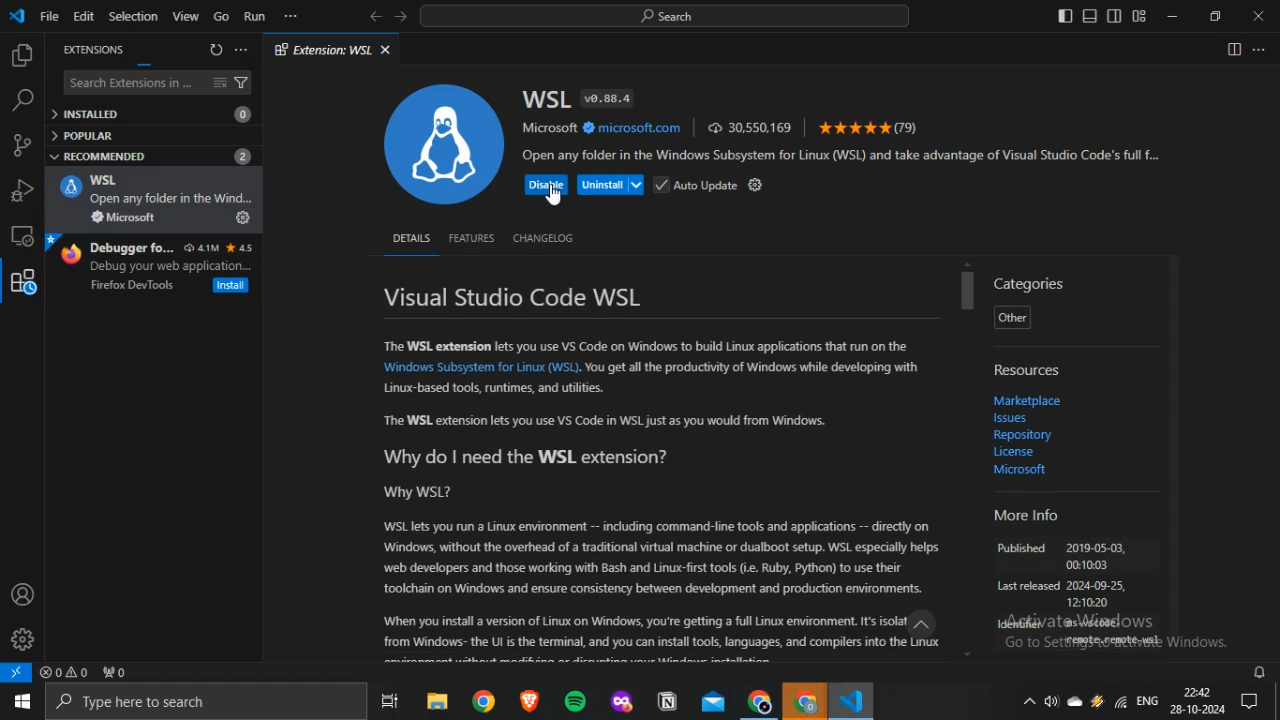  What do you see at coordinates (21, 702) in the screenshot?
I see `start` at bounding box center [21, 702].